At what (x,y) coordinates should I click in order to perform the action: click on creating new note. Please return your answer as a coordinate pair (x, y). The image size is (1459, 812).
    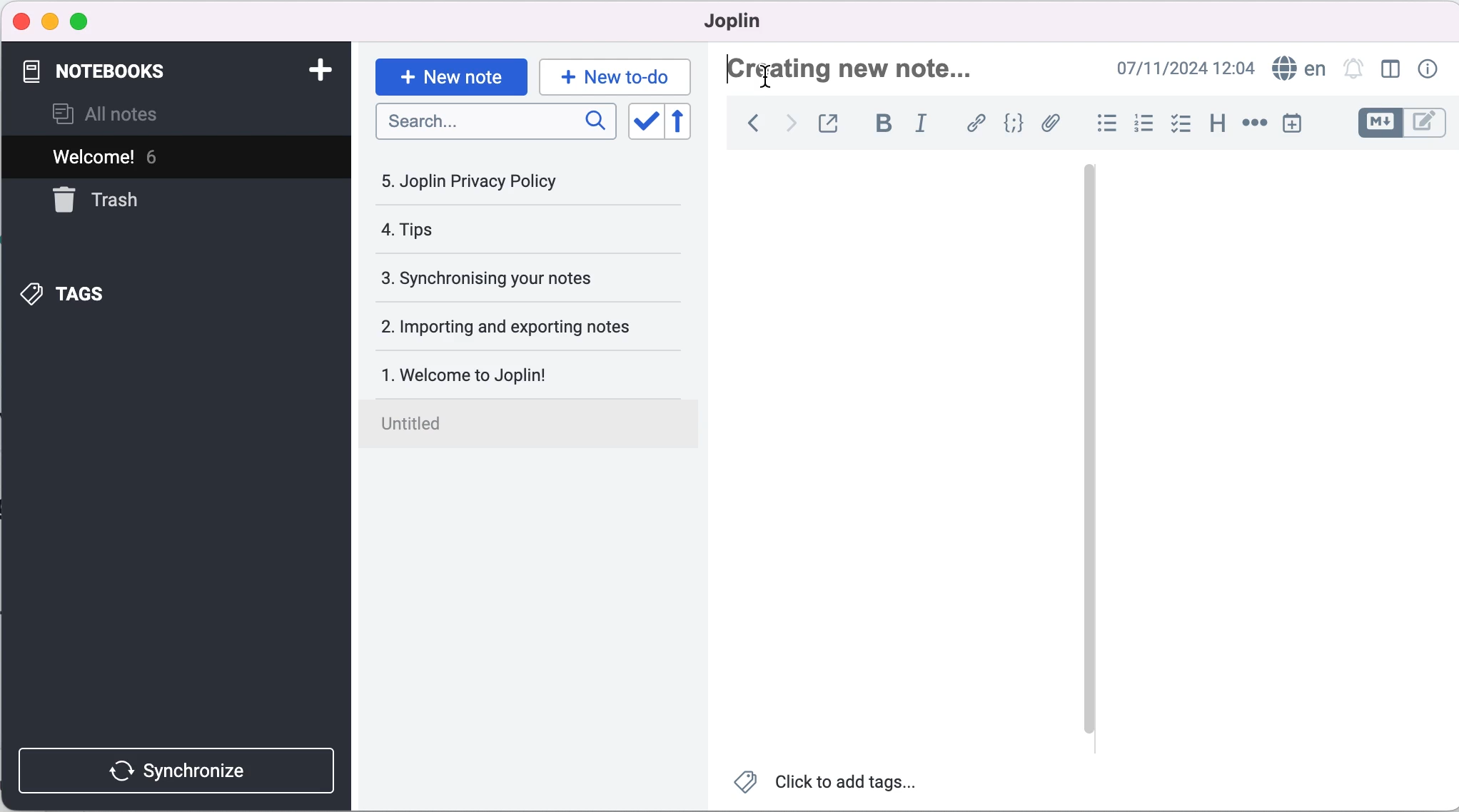
    Looking at the image, I should click on (870, 66).